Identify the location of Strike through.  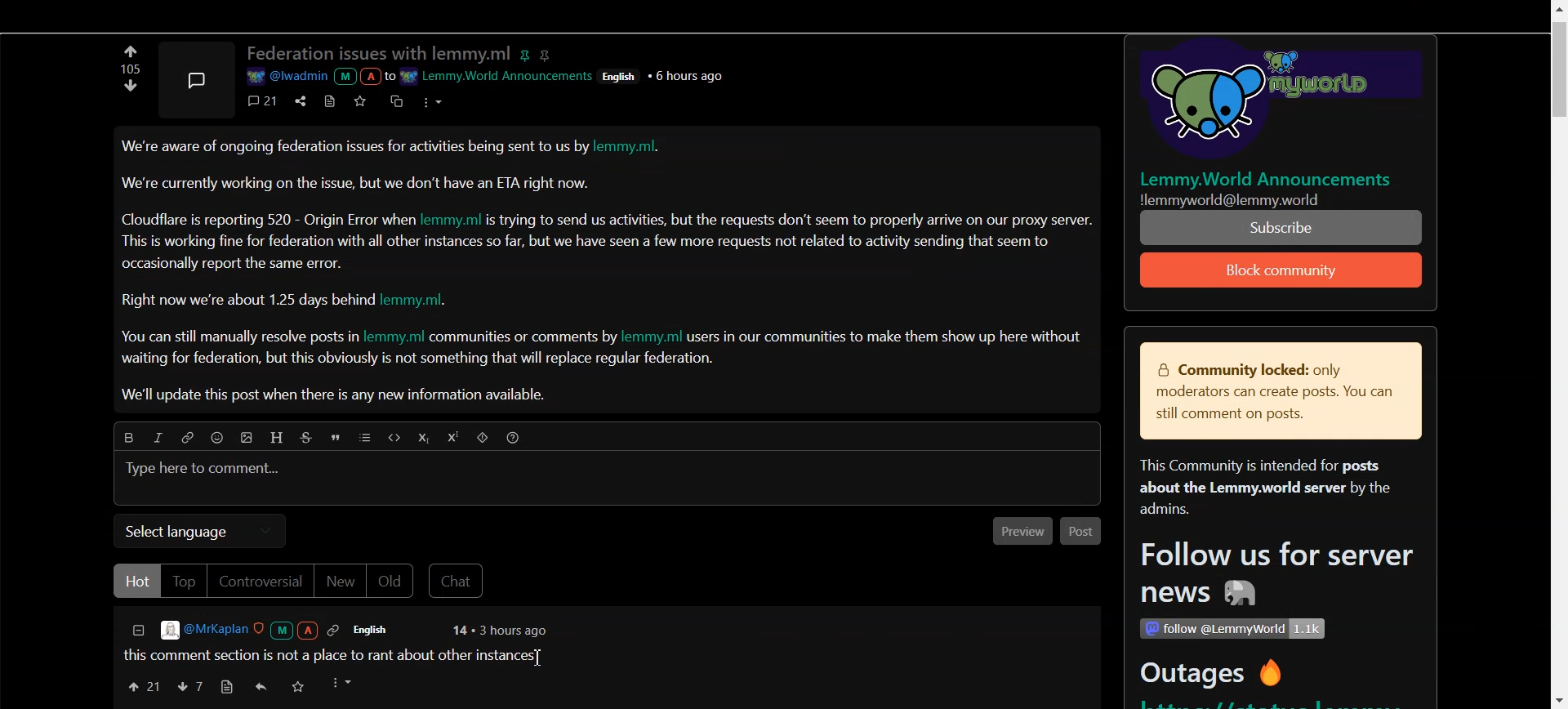
(309, 438).